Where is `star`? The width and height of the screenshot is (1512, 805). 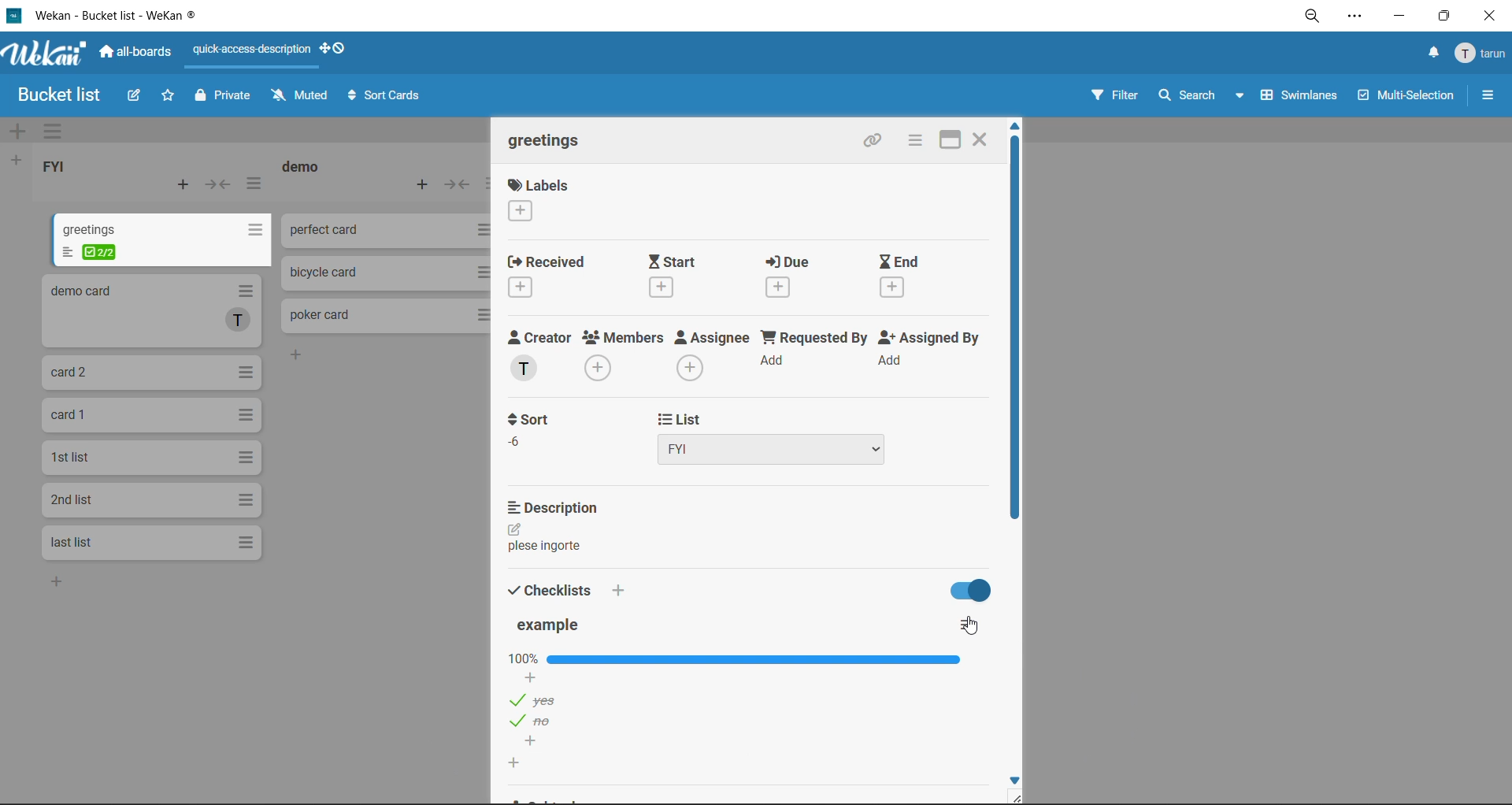
star is located at coordinates (171, 95).